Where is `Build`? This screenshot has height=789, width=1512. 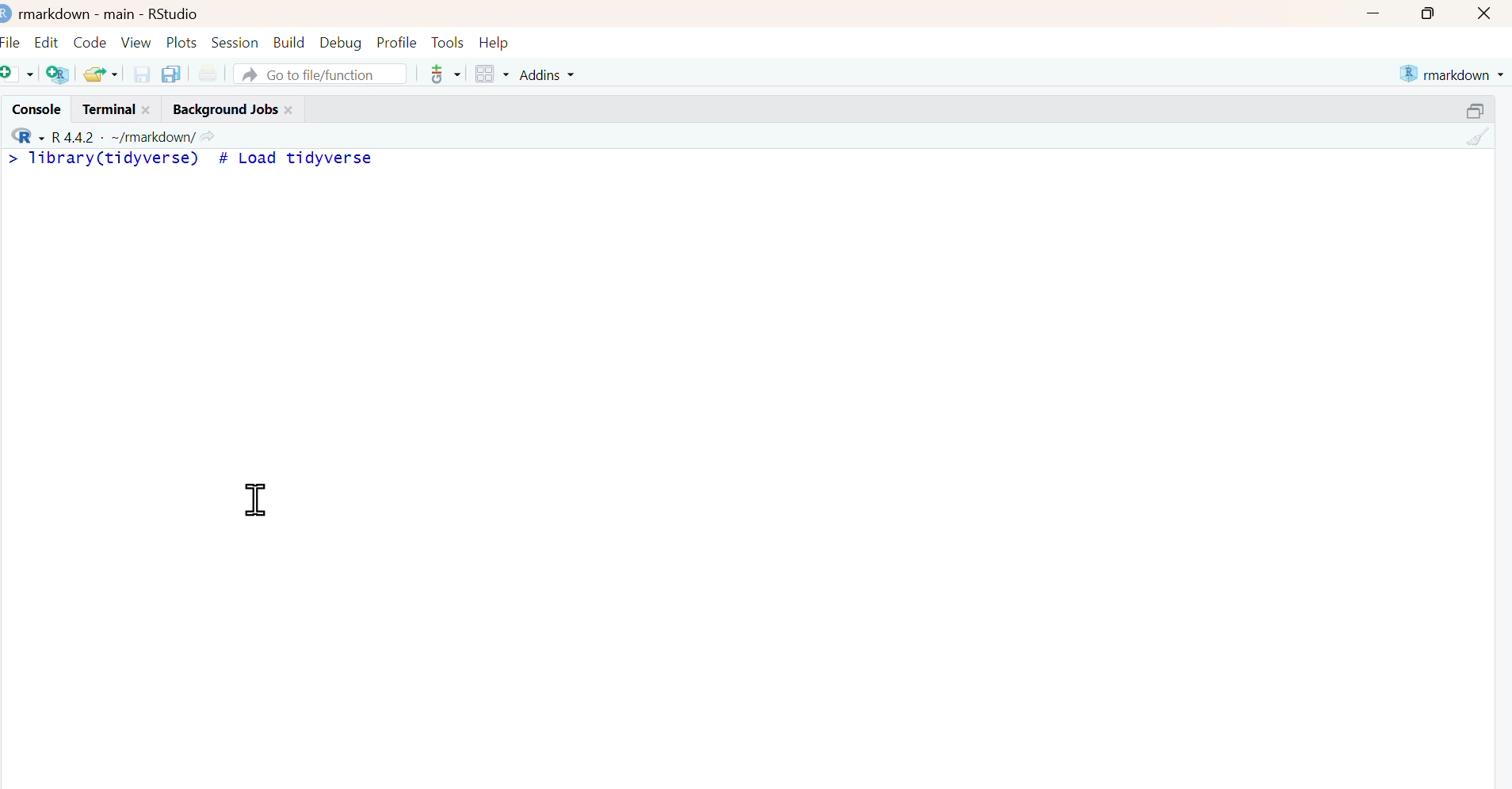 Build is located at coordinates (290, 39).